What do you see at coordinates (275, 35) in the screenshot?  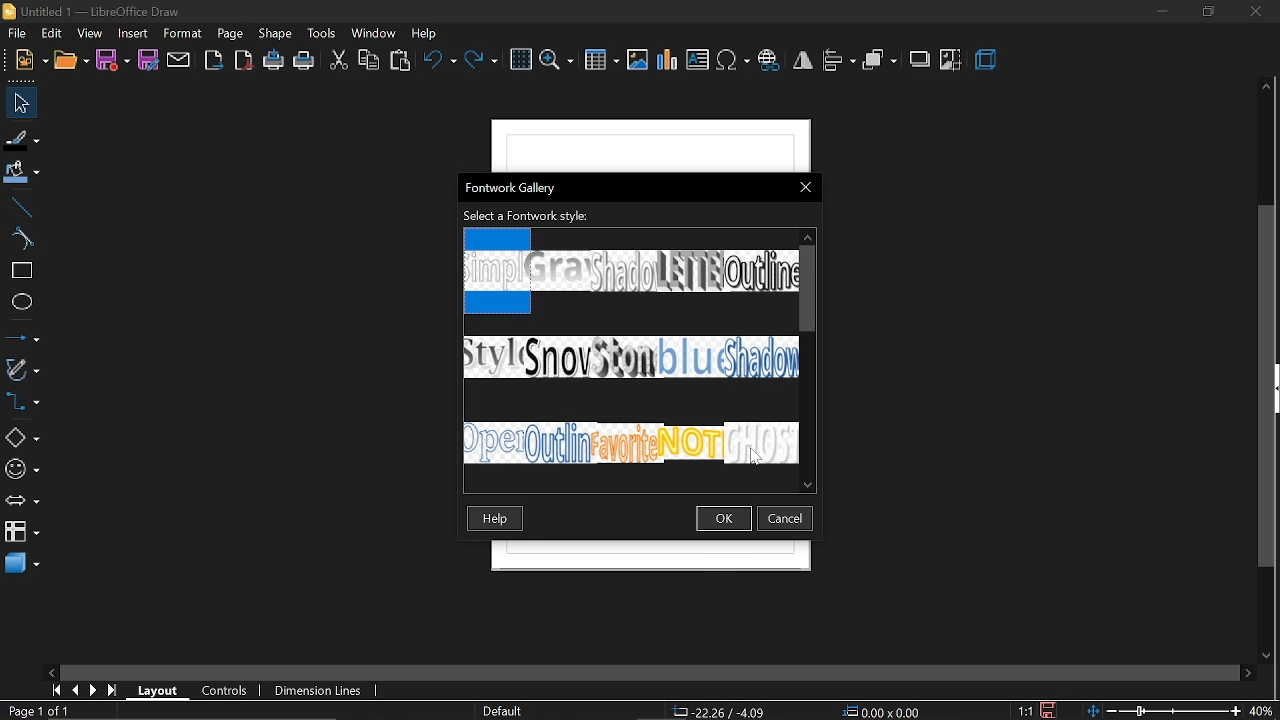 I see `shape` at bounding box center [275, 35].